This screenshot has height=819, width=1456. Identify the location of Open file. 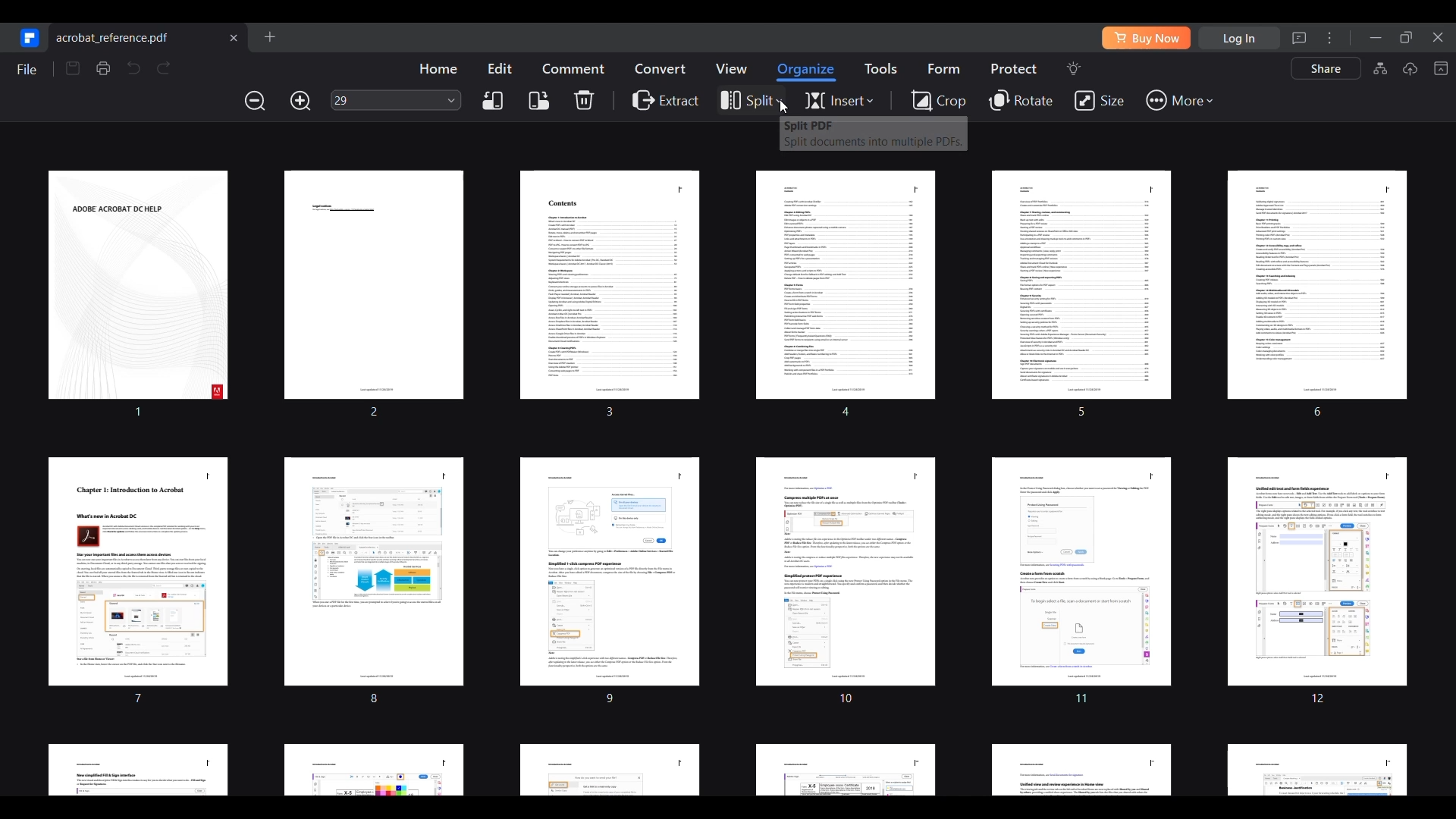
(269, 36).